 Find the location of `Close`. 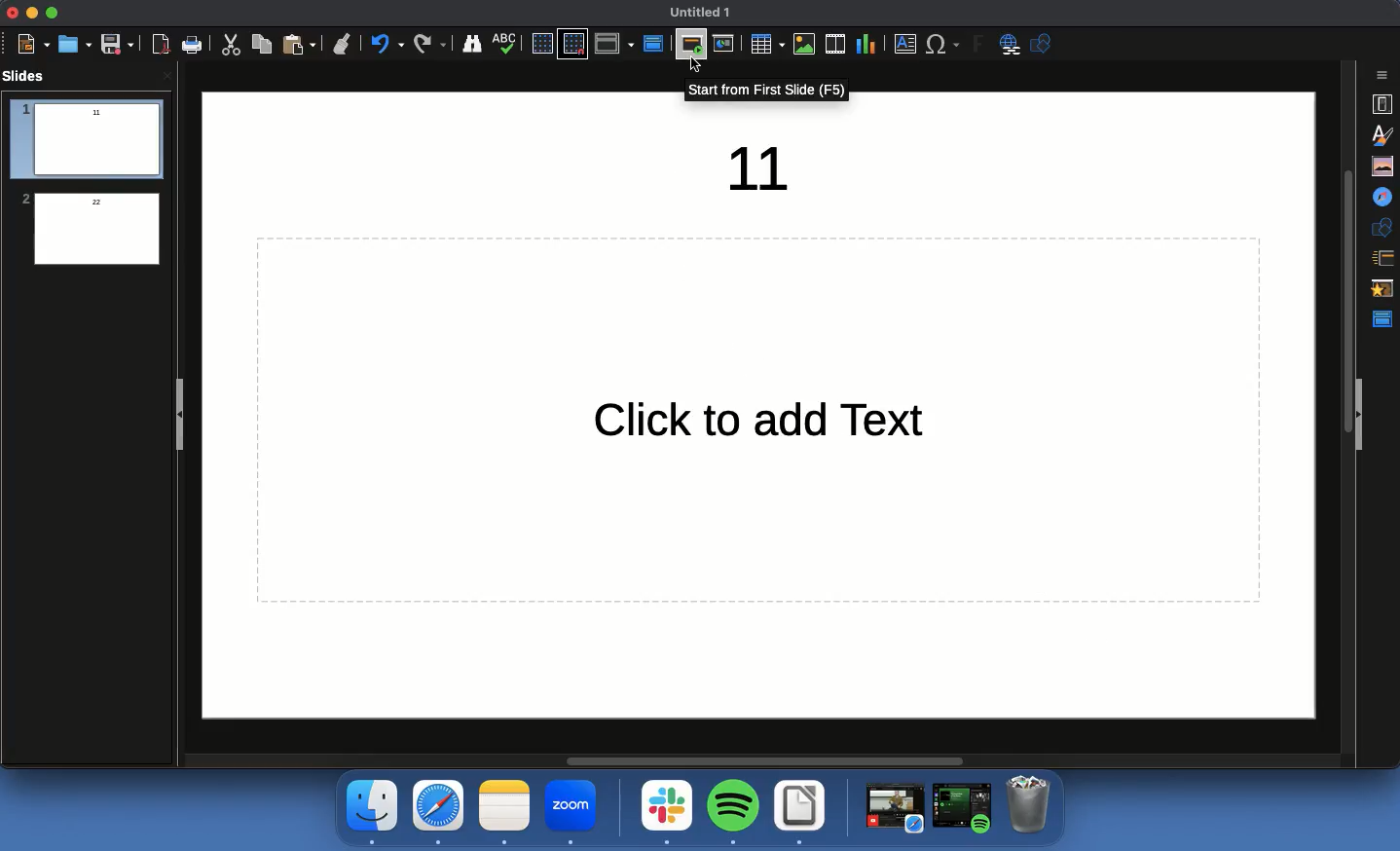

Close is located at coordinates (11, 13).